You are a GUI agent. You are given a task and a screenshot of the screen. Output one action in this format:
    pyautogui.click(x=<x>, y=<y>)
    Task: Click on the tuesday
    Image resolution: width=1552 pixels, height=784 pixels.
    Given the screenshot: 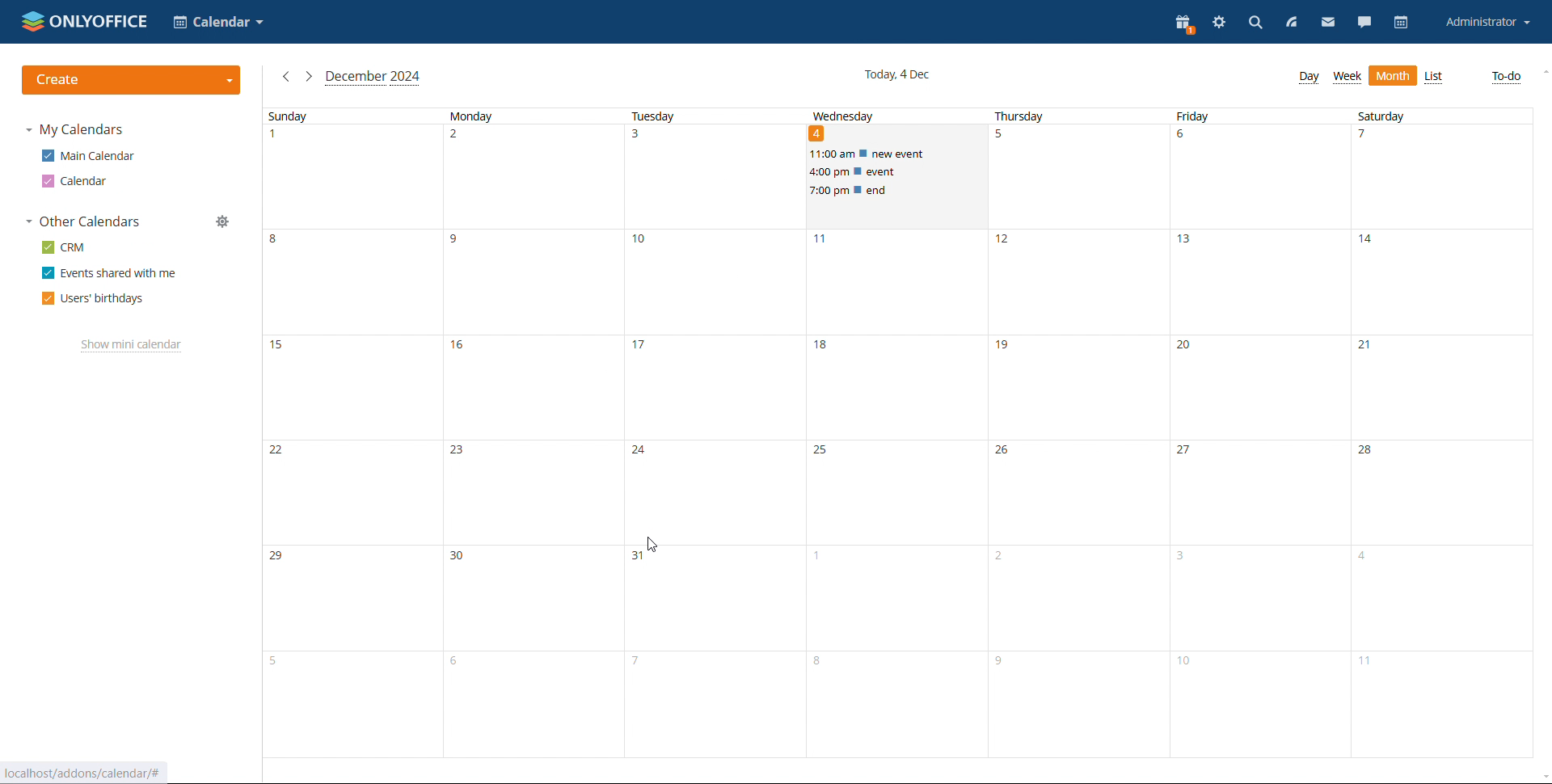 What is the action you would take?
    pyautogui.click(x=716, y=434)
    